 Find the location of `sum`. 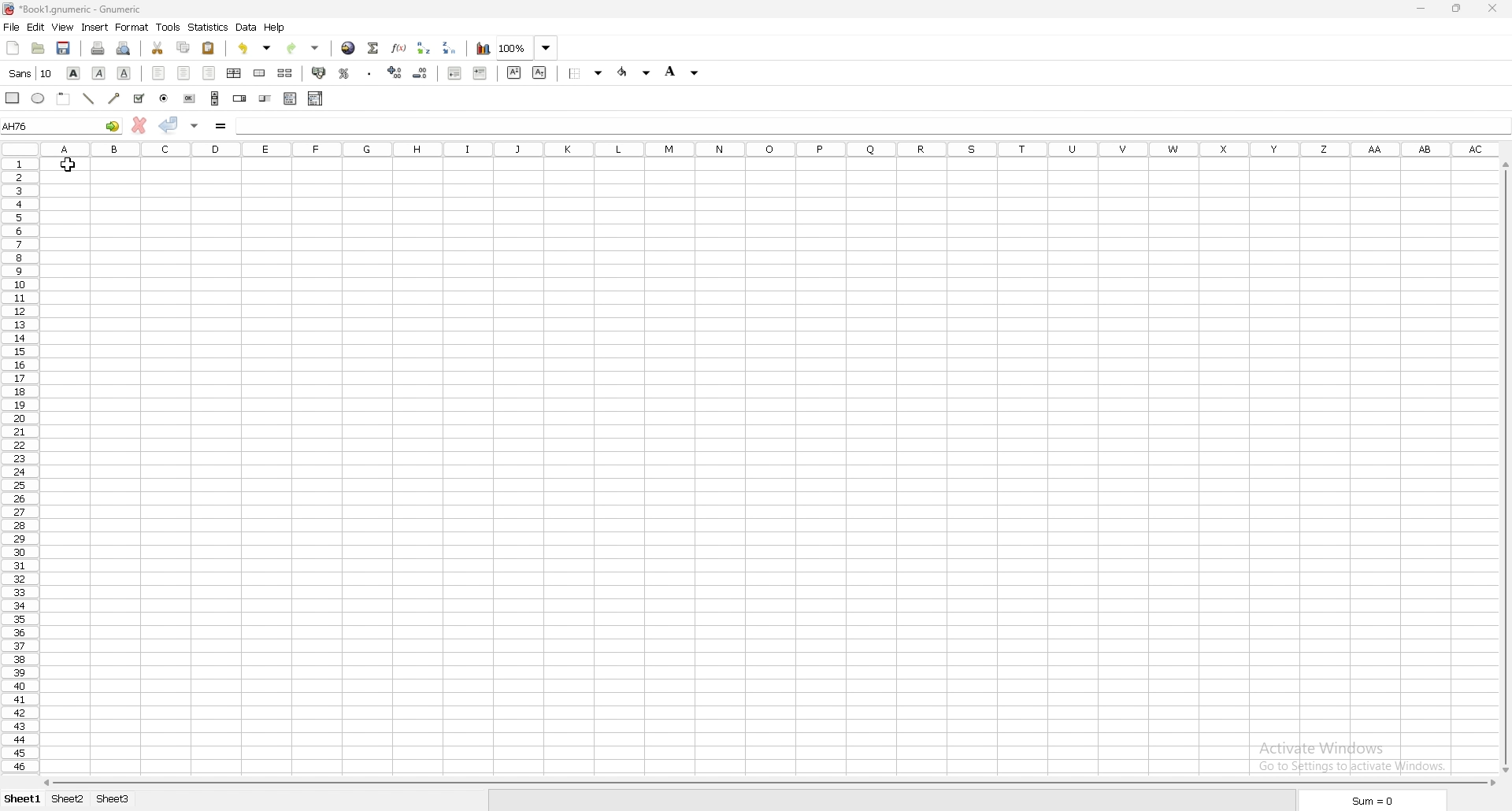

sum is located at coordinates (1371, 800).